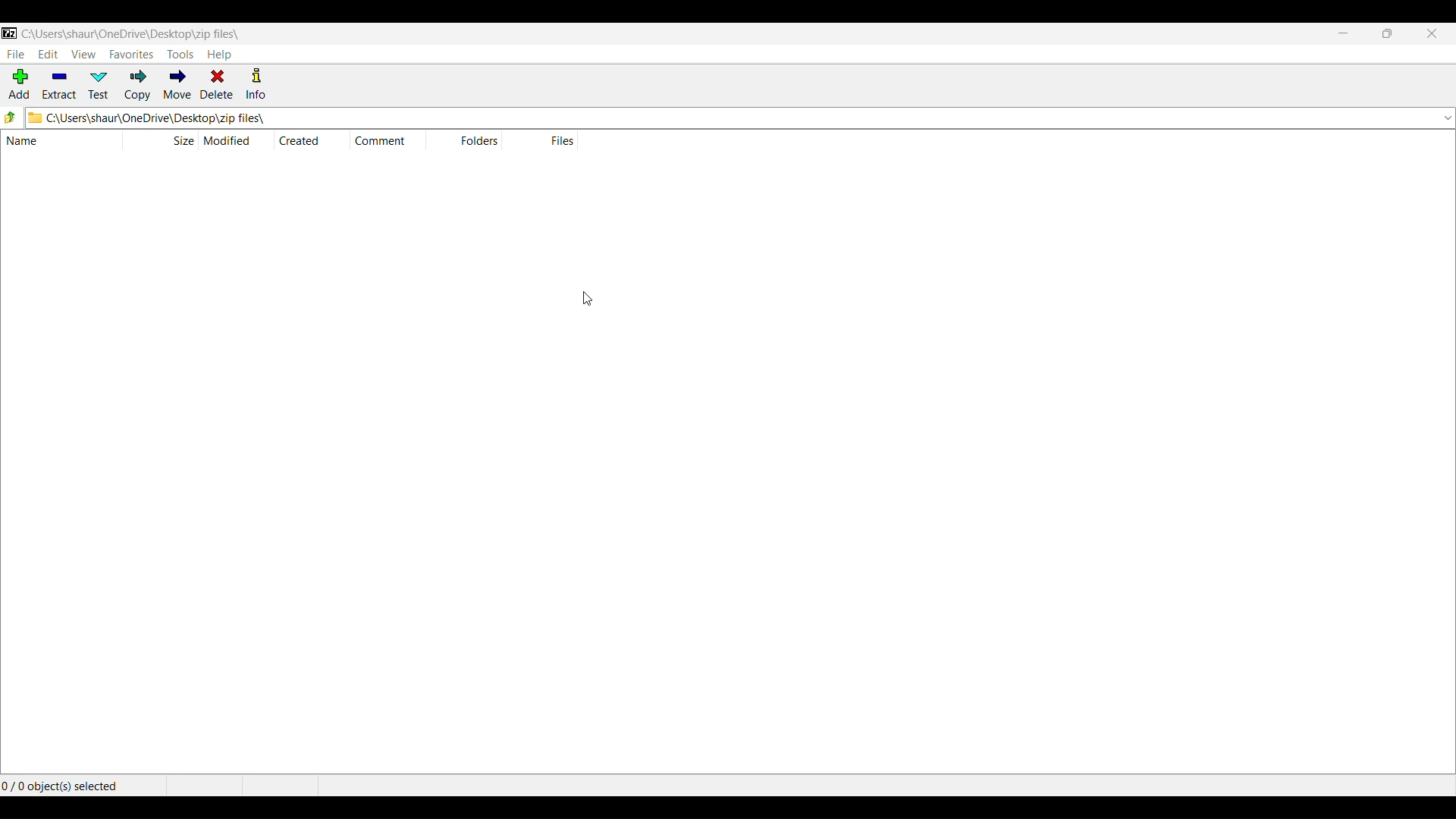 This screenshot has width=1456, height=819. I want to click on COMMENT, so click(385, 141).